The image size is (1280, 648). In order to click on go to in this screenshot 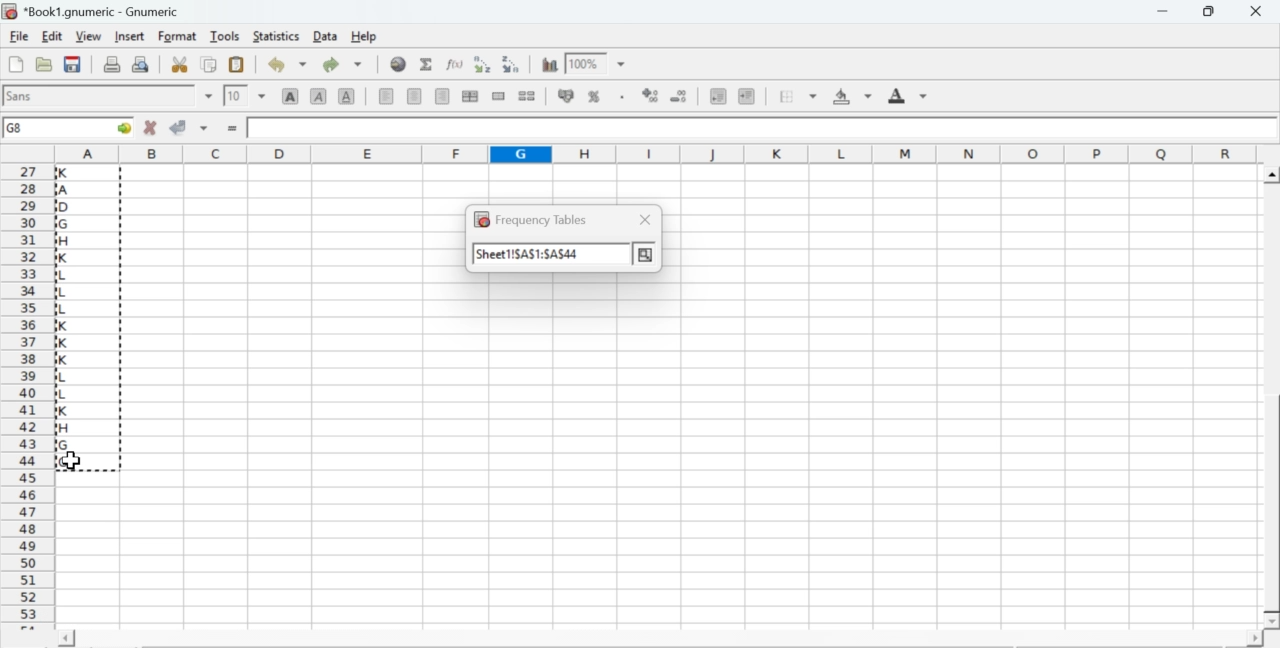, I will do `click(122, 127)`.